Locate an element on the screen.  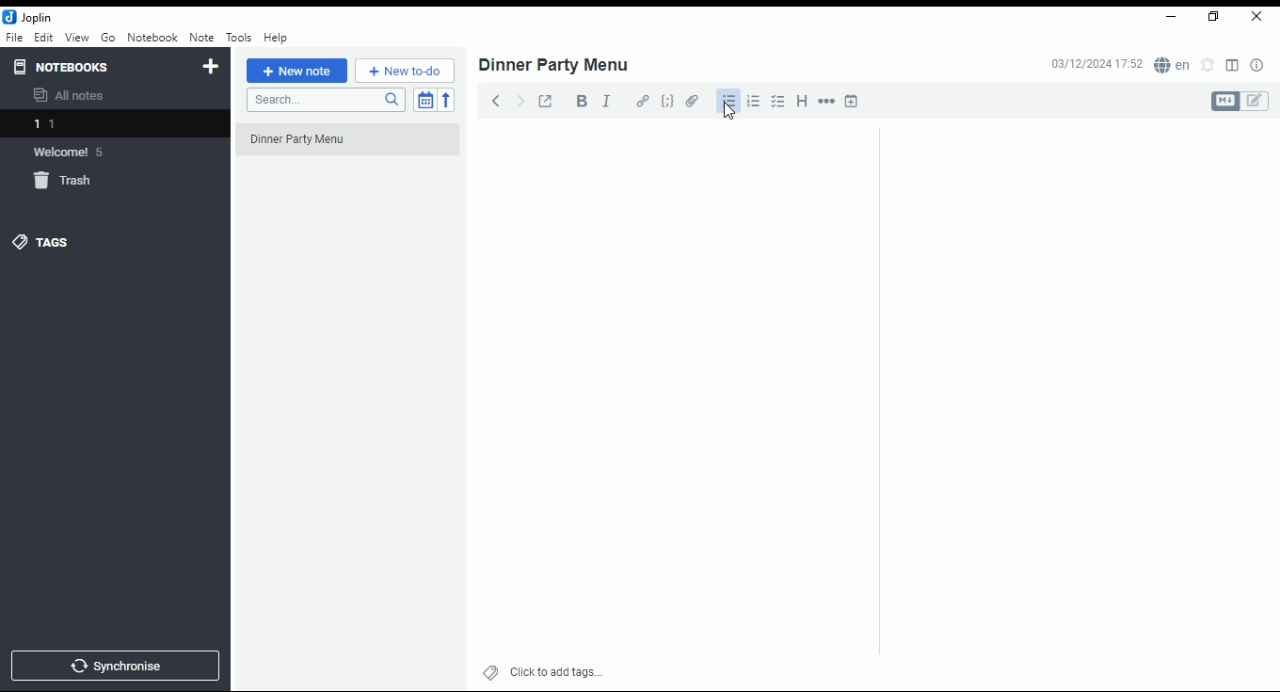
forward is located at coordinates (519, 98).